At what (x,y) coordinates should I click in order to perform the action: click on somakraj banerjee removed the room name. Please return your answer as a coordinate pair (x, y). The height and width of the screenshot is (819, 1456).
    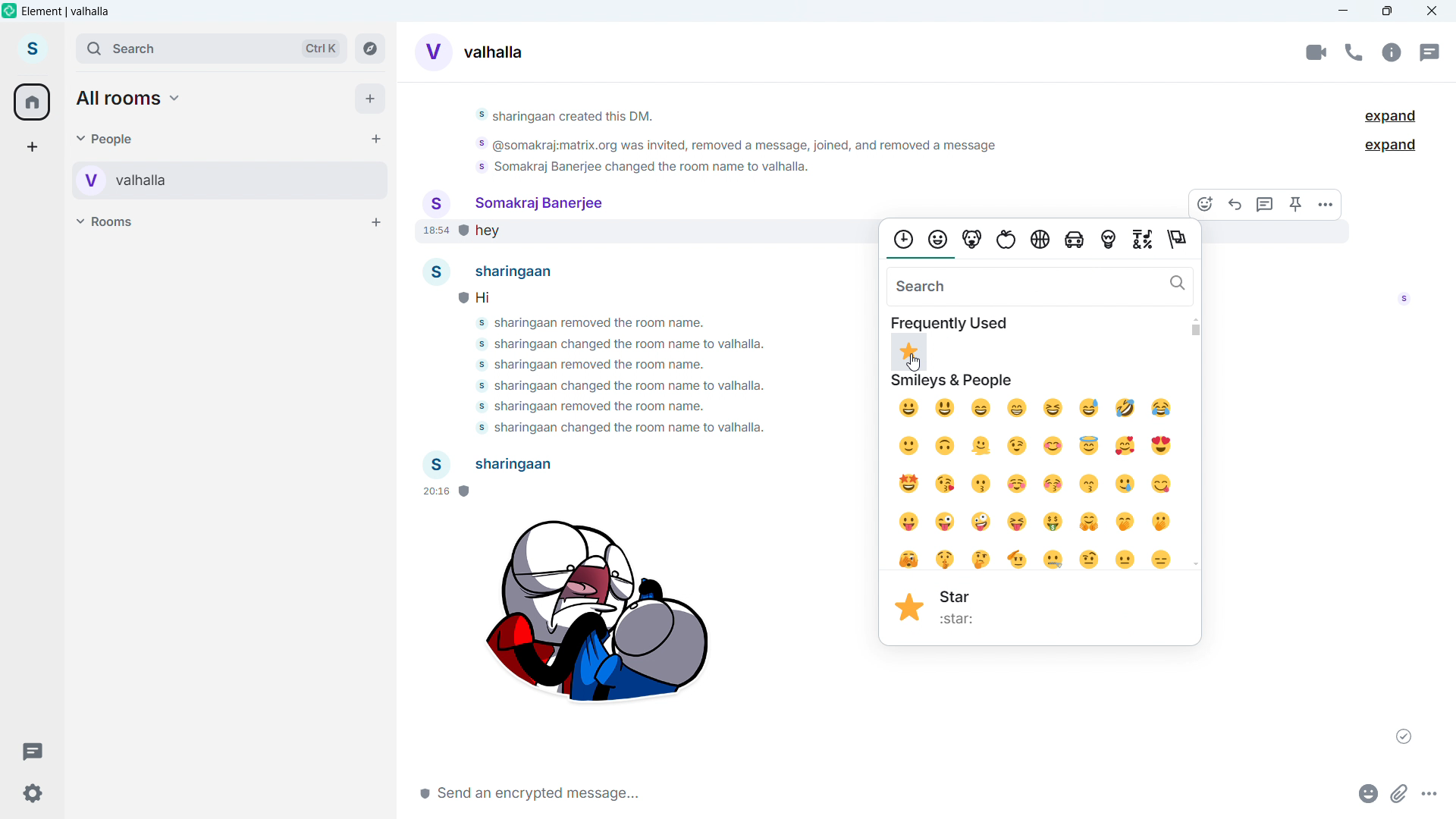
    Looking at the image, I should click on (592, 408).